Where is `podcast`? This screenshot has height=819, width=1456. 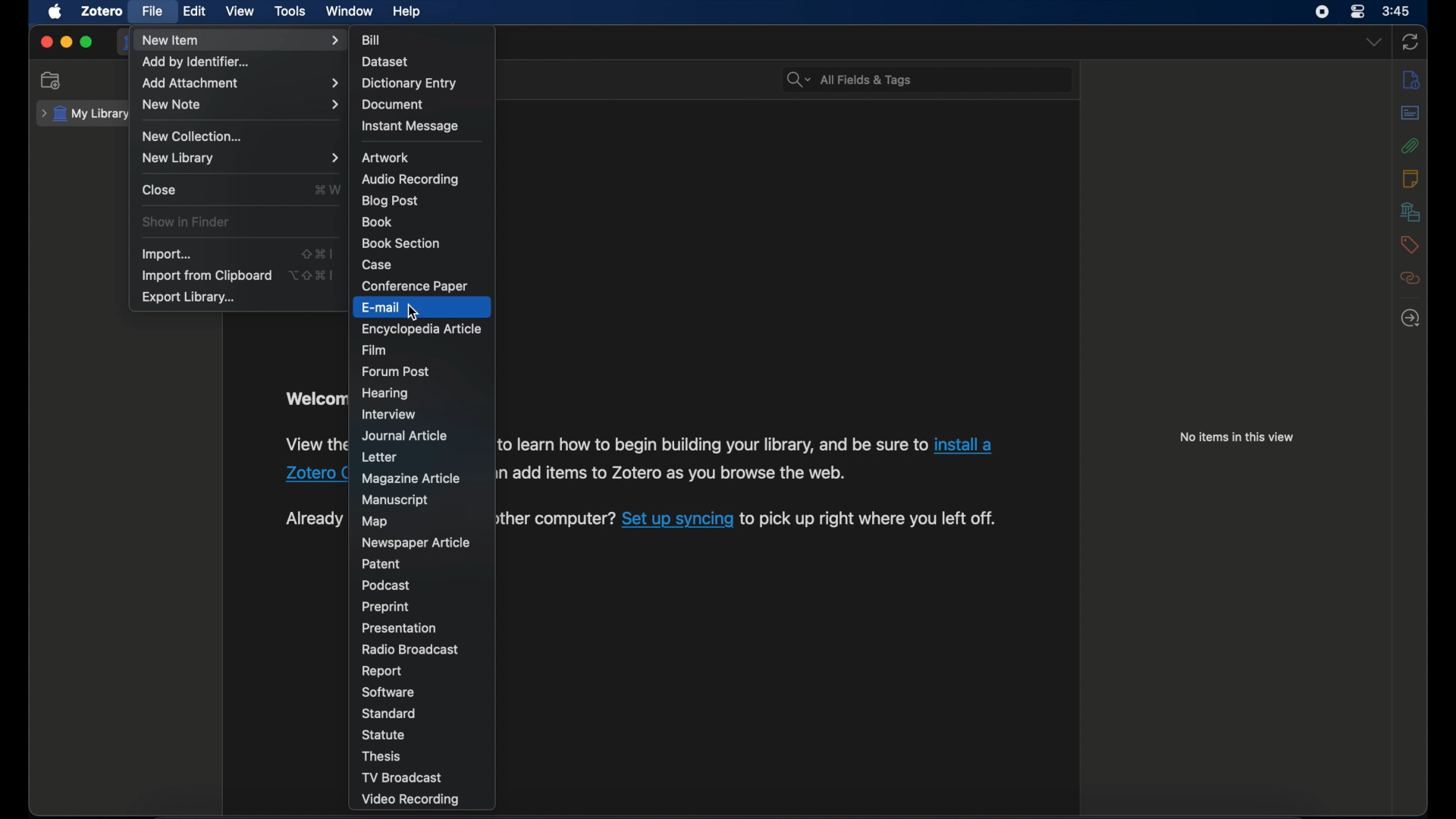 podcast is located at coordinates (390, 584).